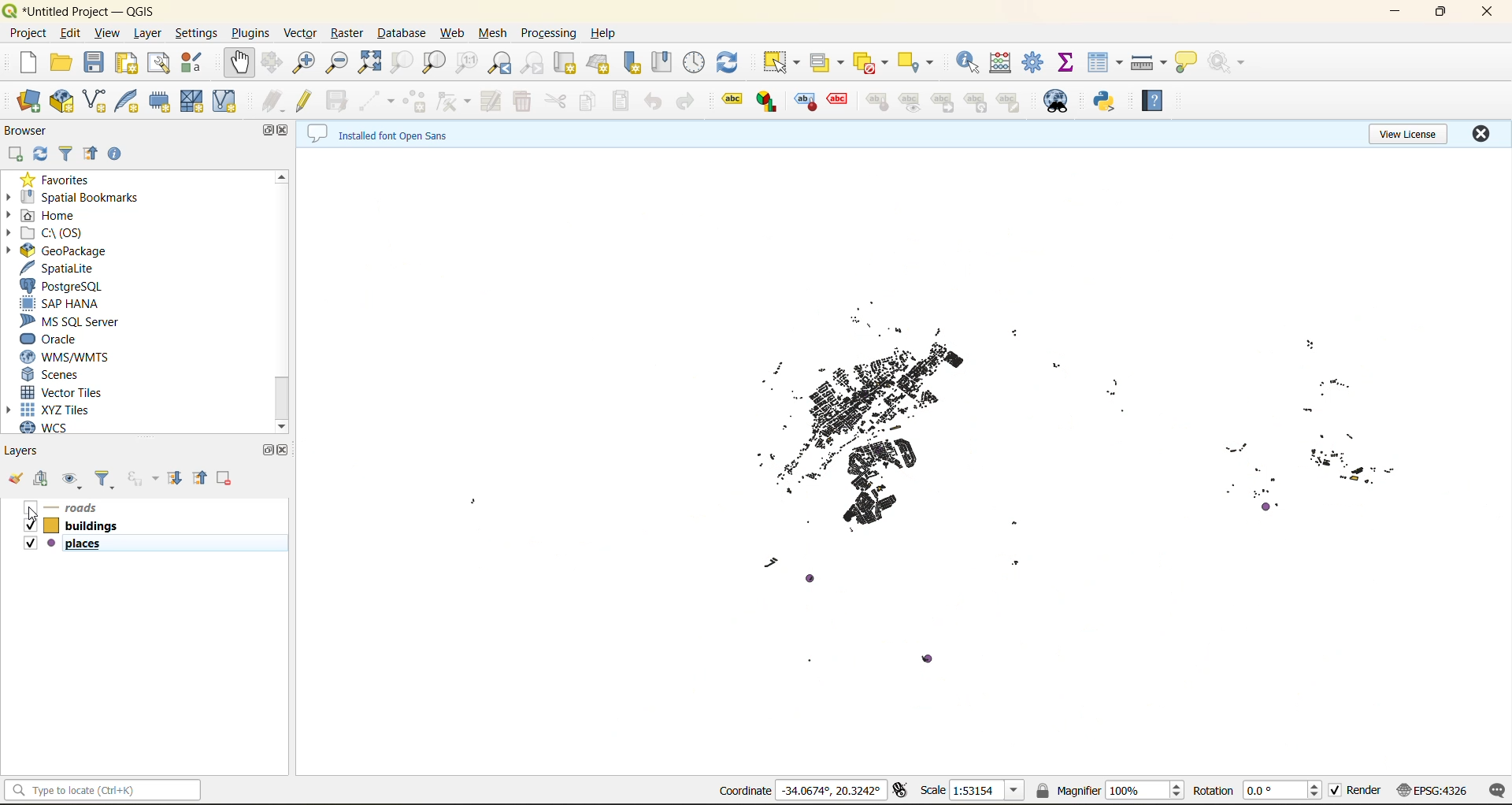 This screenshot has height=805, width=1512. What do you see at coordinates (17, 157) in the screenshot?
I see `add` at bounding box center [17, 157].